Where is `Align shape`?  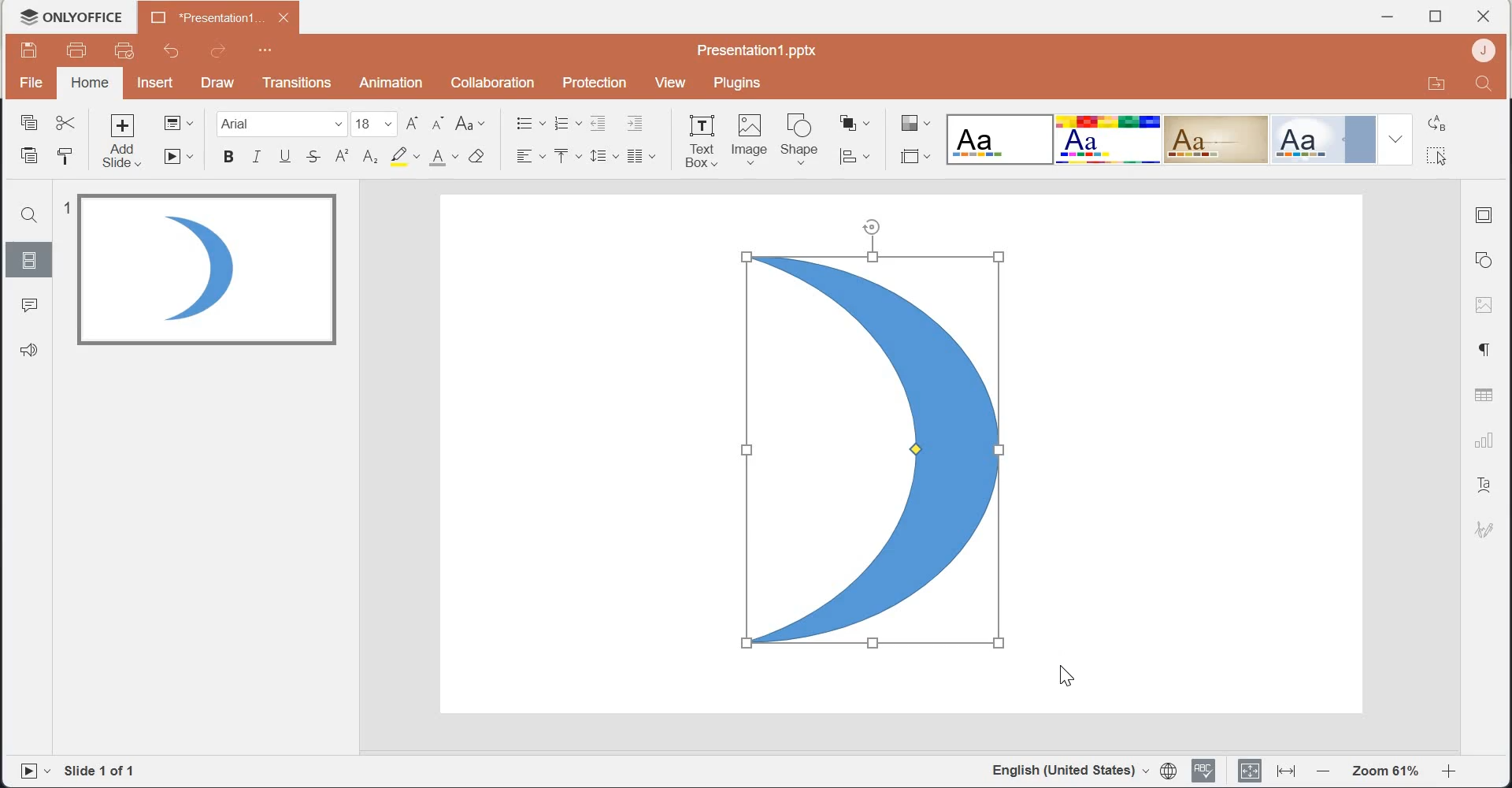
Align shape is located at coordinates (860, 158).